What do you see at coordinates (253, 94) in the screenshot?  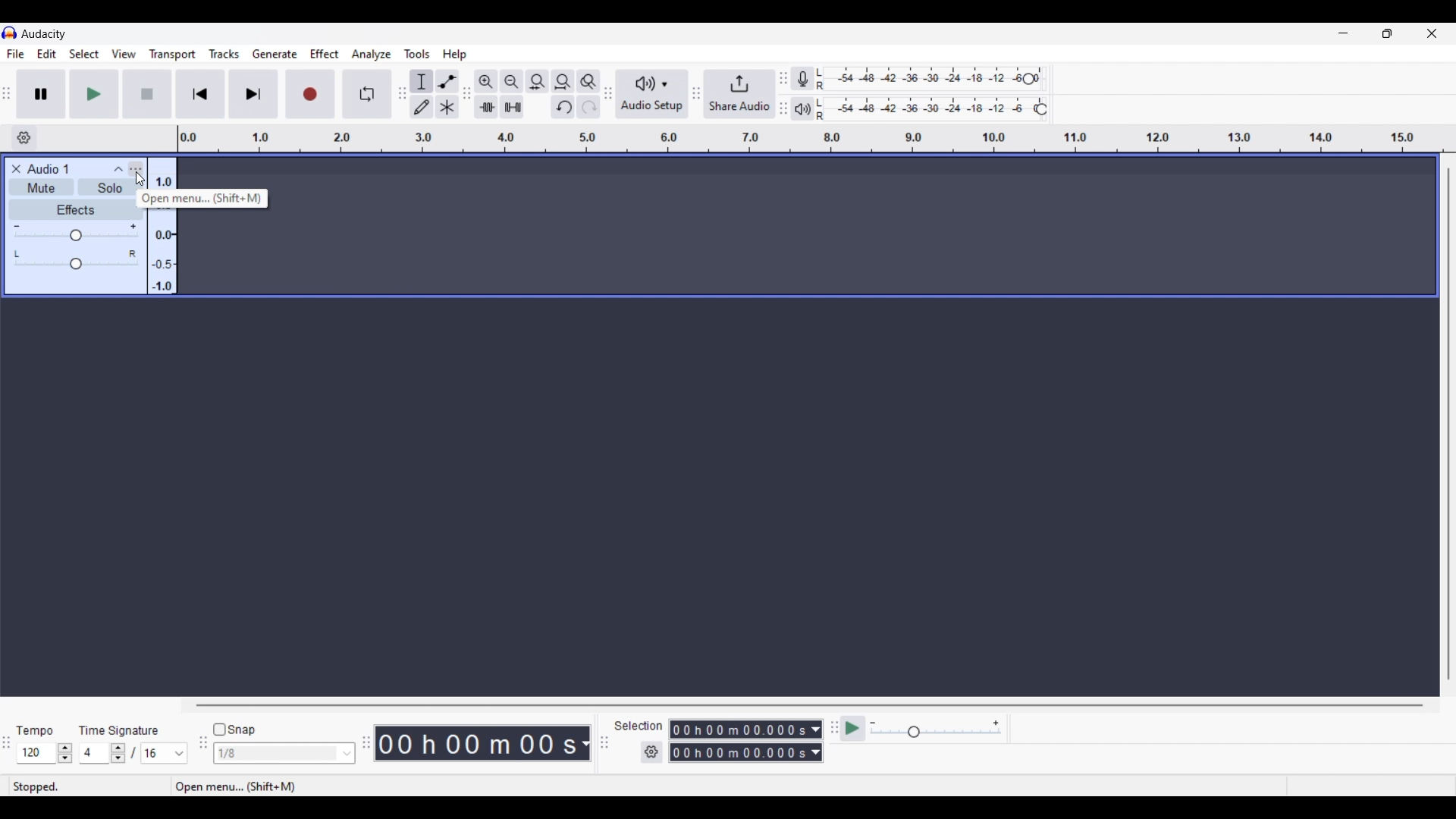 I see `Skip to end/Select to end` at bounding box center [253, 94].